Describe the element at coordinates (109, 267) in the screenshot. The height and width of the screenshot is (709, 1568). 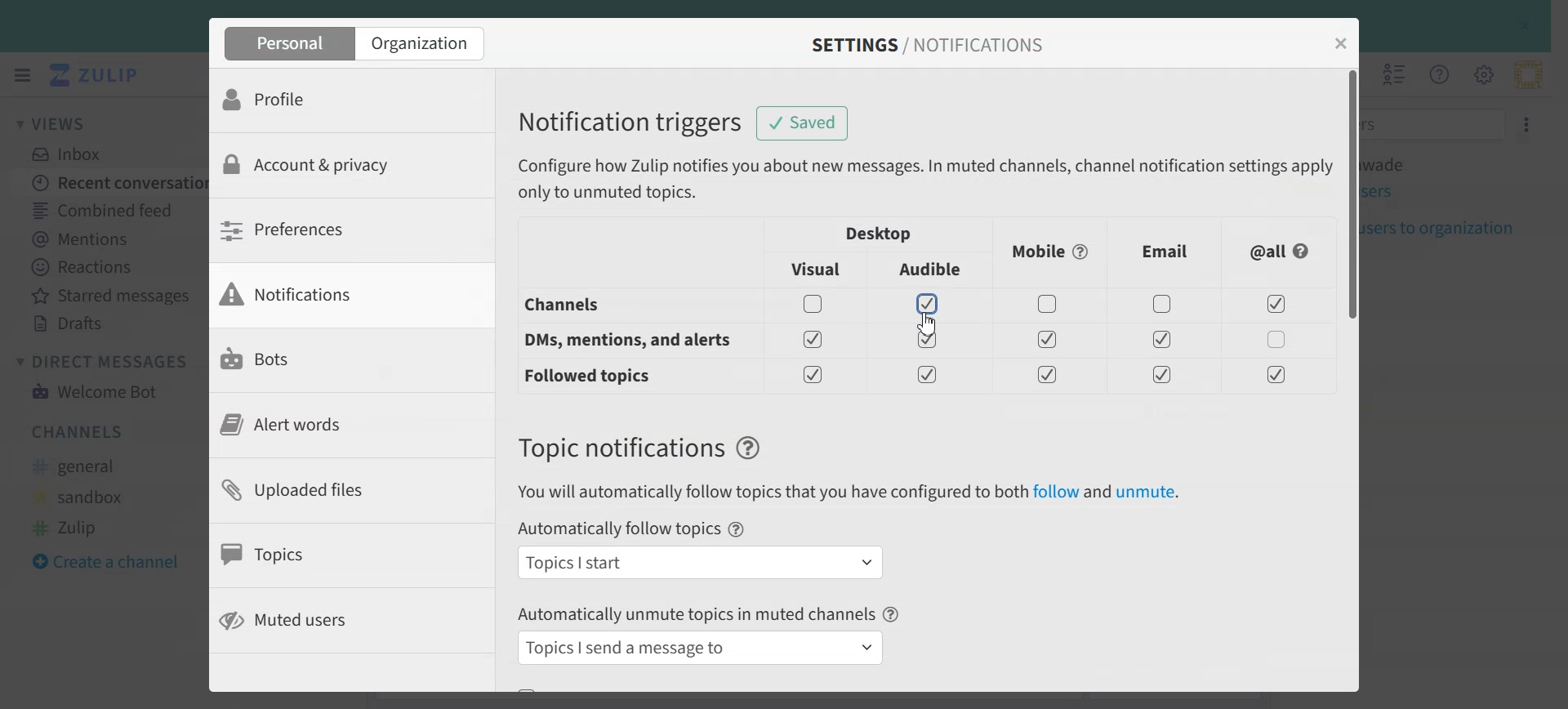
I see `Reactions` at that location.